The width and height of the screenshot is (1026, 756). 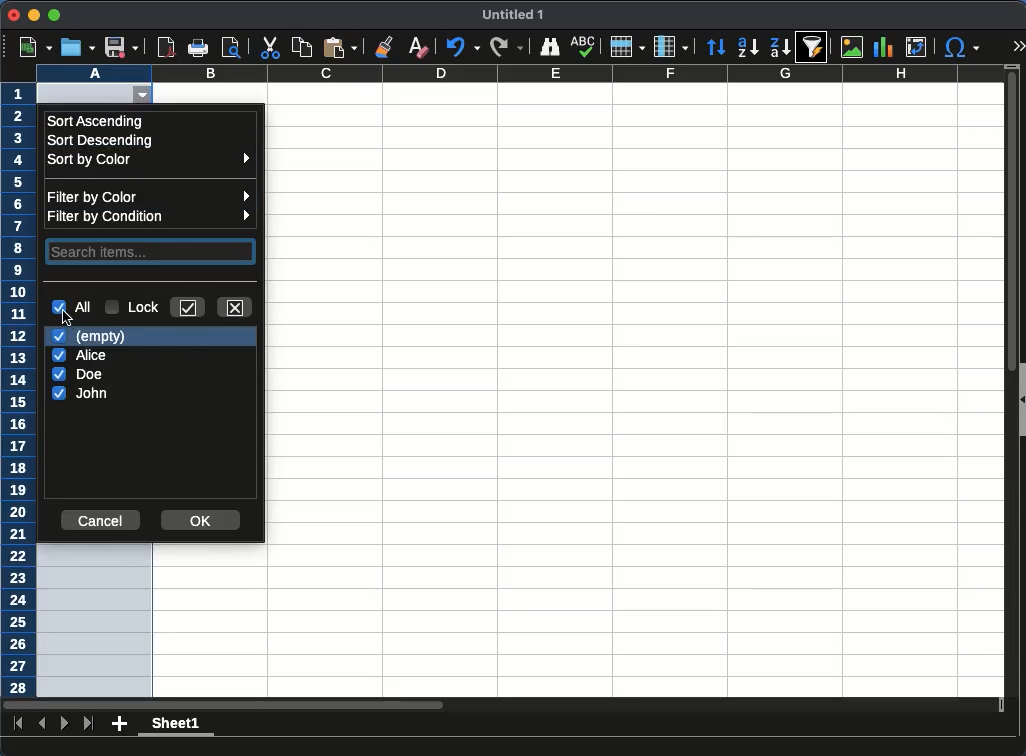 What do you see at coordinates (387, 46) in the screenshot?
I see `clone formatting` at bounding box center [387, 46].